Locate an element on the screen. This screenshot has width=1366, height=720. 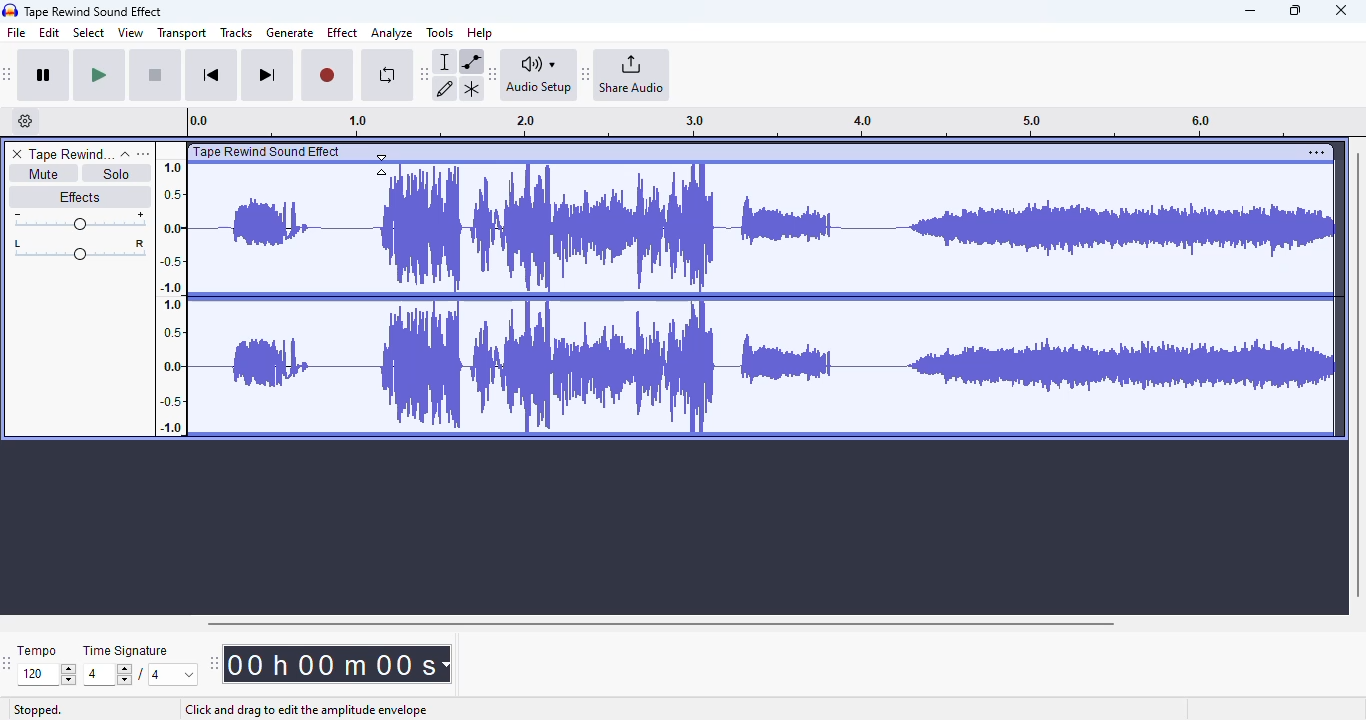
share audio is located at coordinates (633, 75).